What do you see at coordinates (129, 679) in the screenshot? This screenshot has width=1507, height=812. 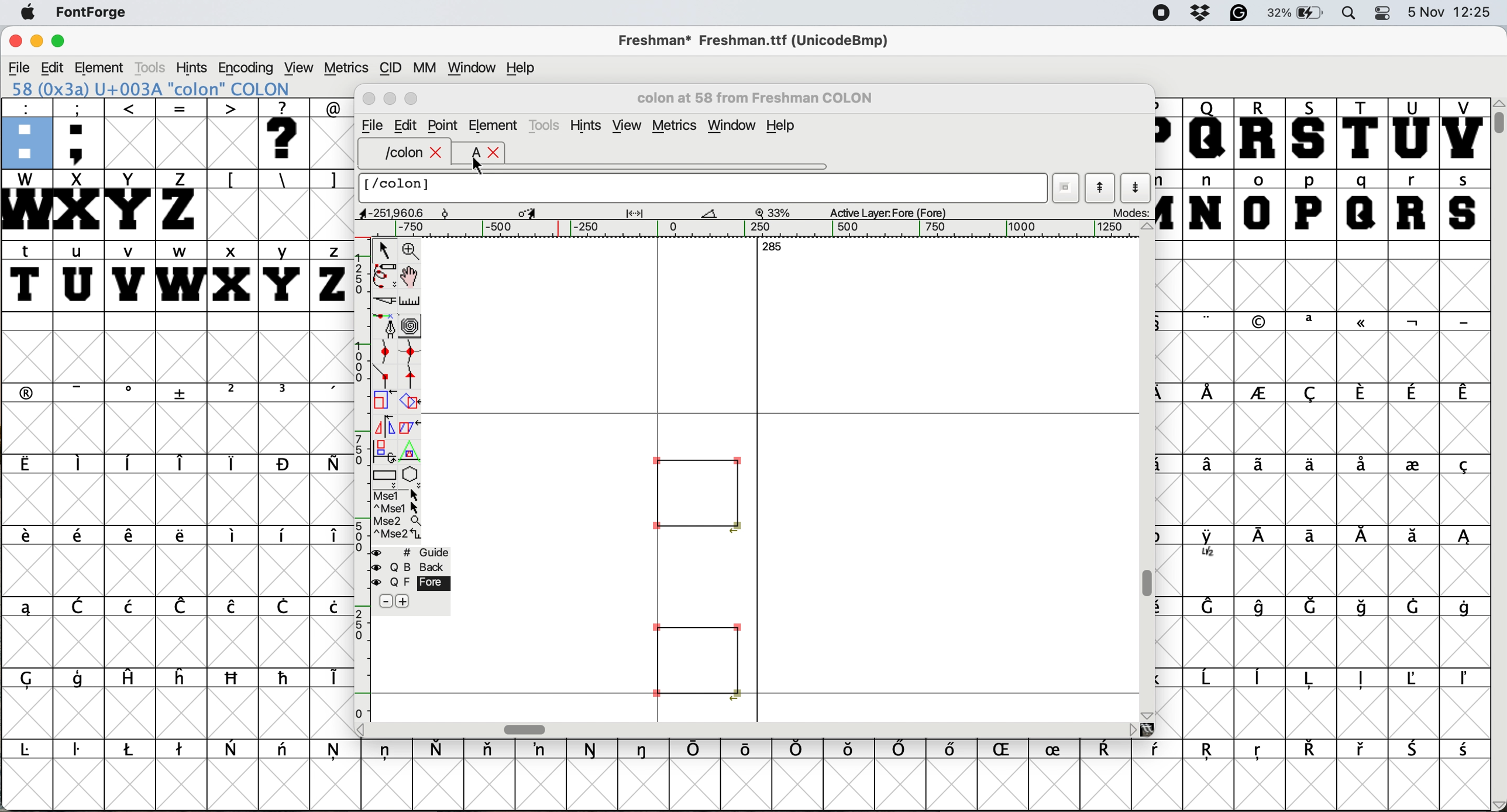 I see `symbol` at bounding box center [129, 679].